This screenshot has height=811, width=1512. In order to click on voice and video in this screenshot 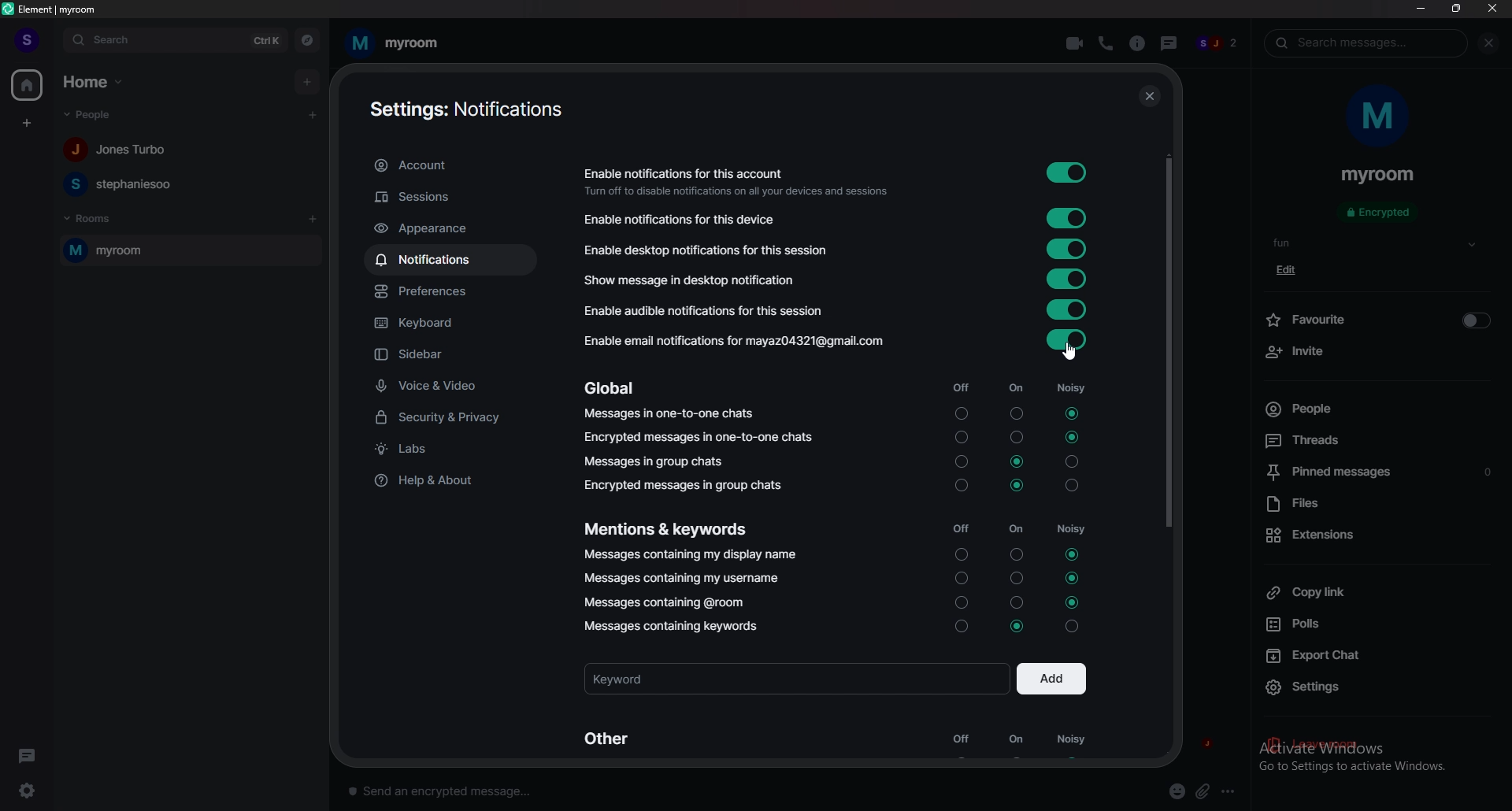, I will do `click(453, 387)`.